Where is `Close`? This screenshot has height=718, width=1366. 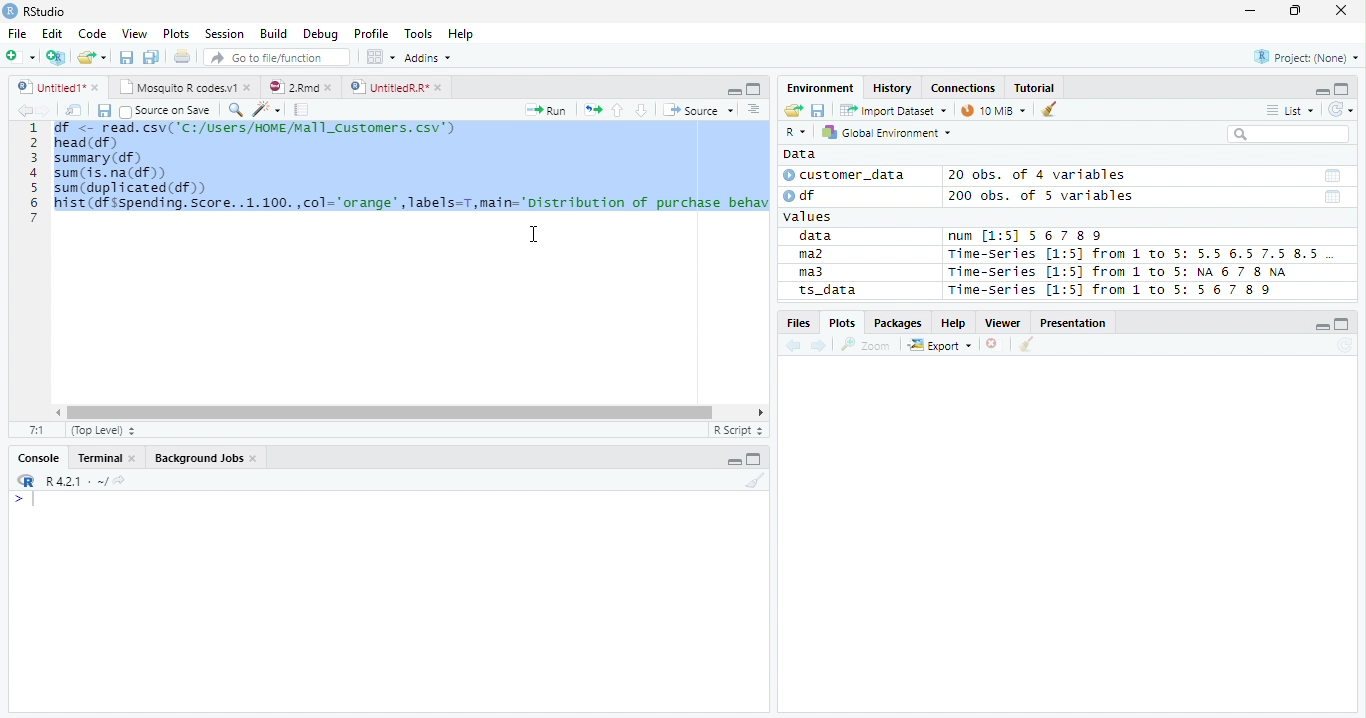 Close is located at coordinates (1340, 11).